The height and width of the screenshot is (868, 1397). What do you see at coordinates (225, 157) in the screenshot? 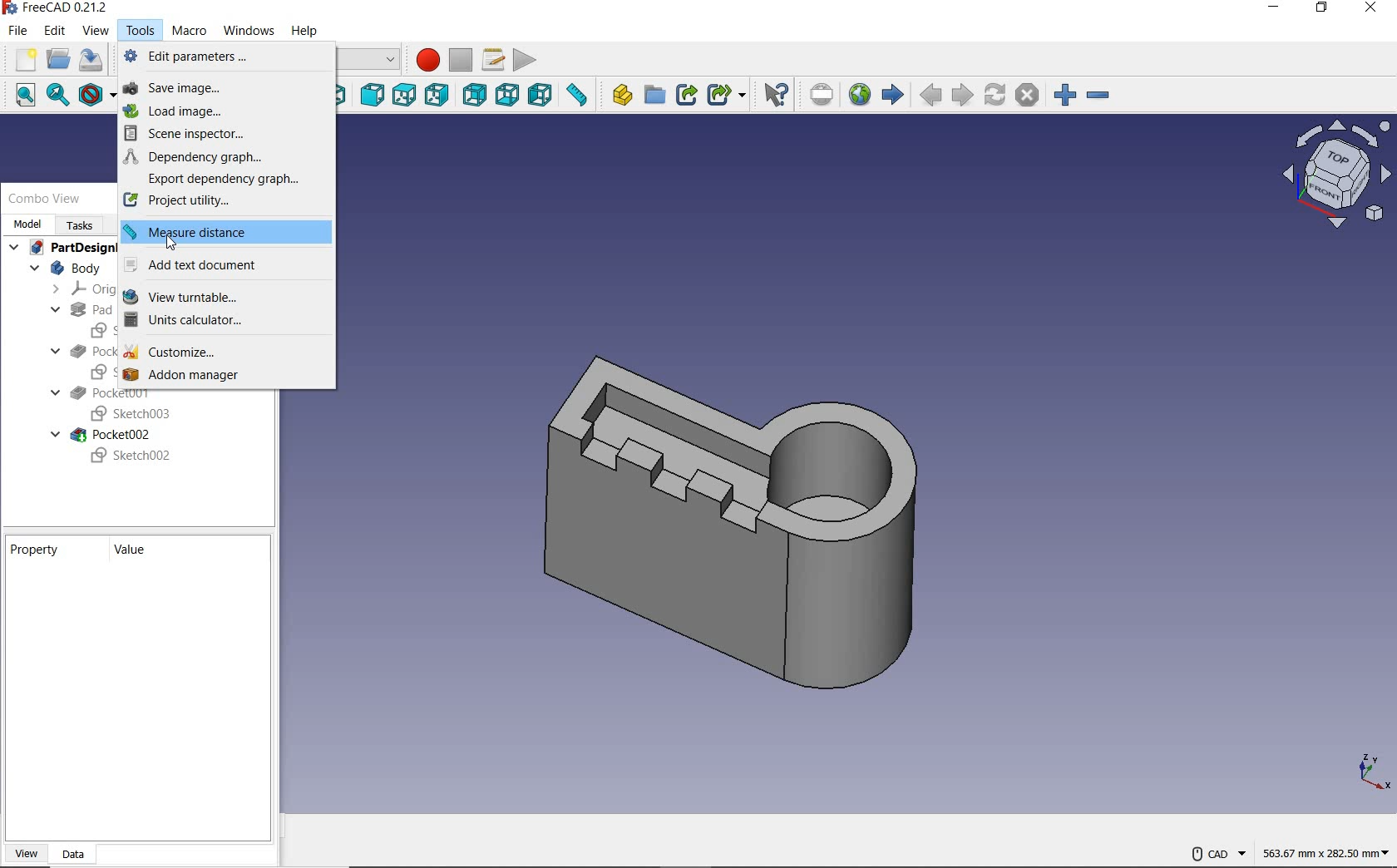
I see `DEPENDENCY GRAPH` at bounding box center [225, 157].